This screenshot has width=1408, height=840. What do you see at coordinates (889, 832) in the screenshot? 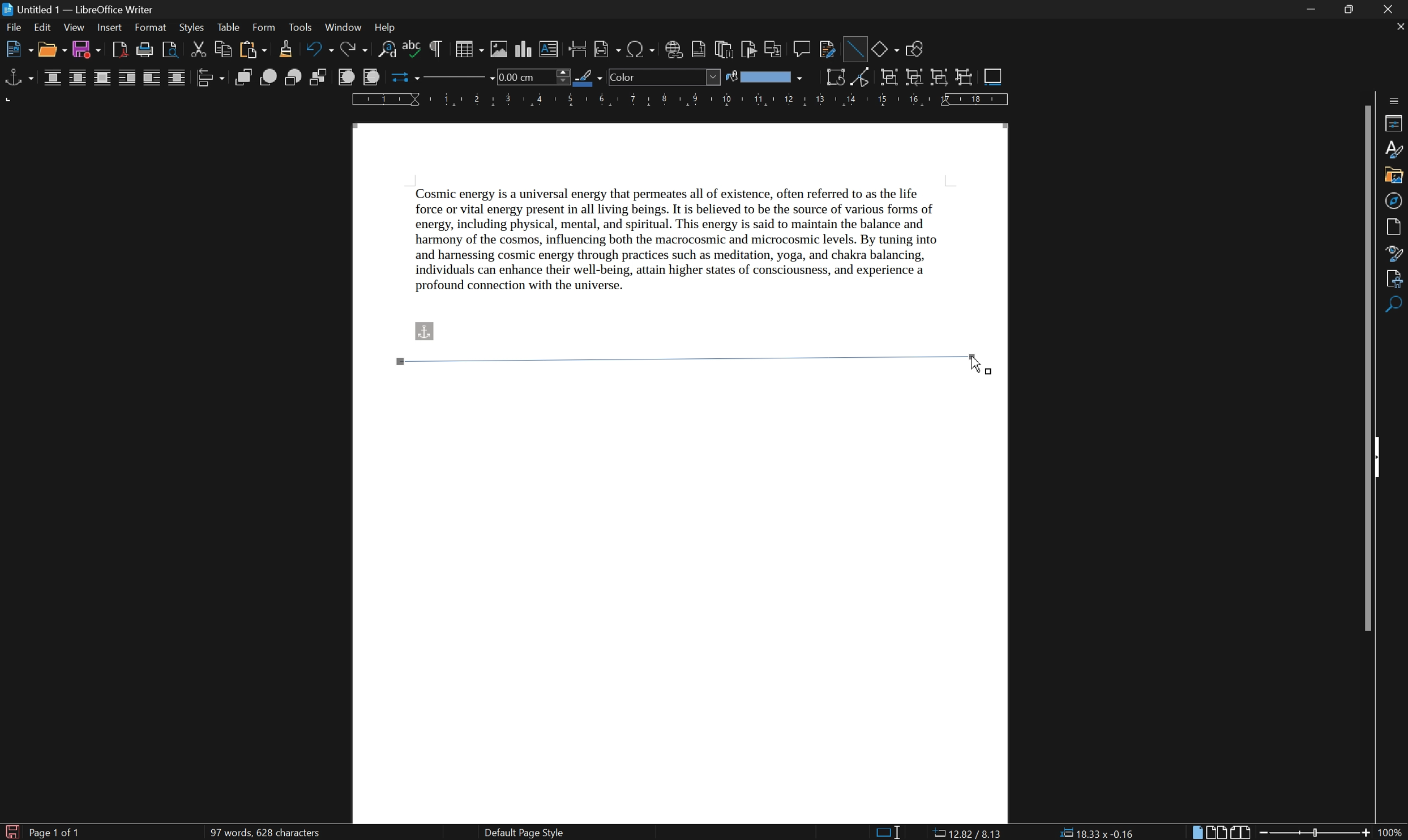
I see `standard selection. click to change selection mode.` at bounding box center [889, 832].